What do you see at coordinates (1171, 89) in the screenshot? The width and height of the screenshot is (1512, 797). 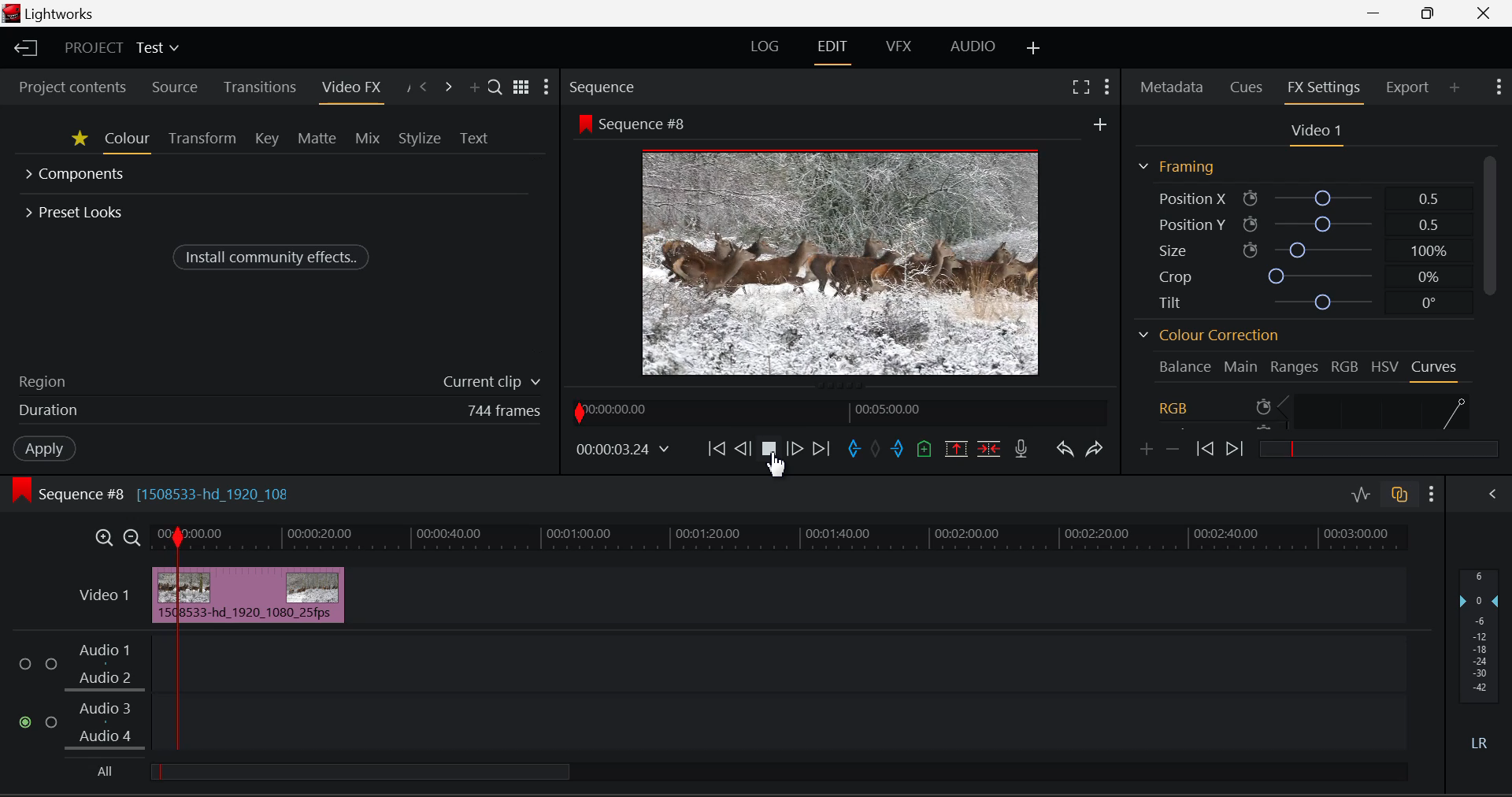 I see `Metadata Tab` at bounding box center [1171, 89].